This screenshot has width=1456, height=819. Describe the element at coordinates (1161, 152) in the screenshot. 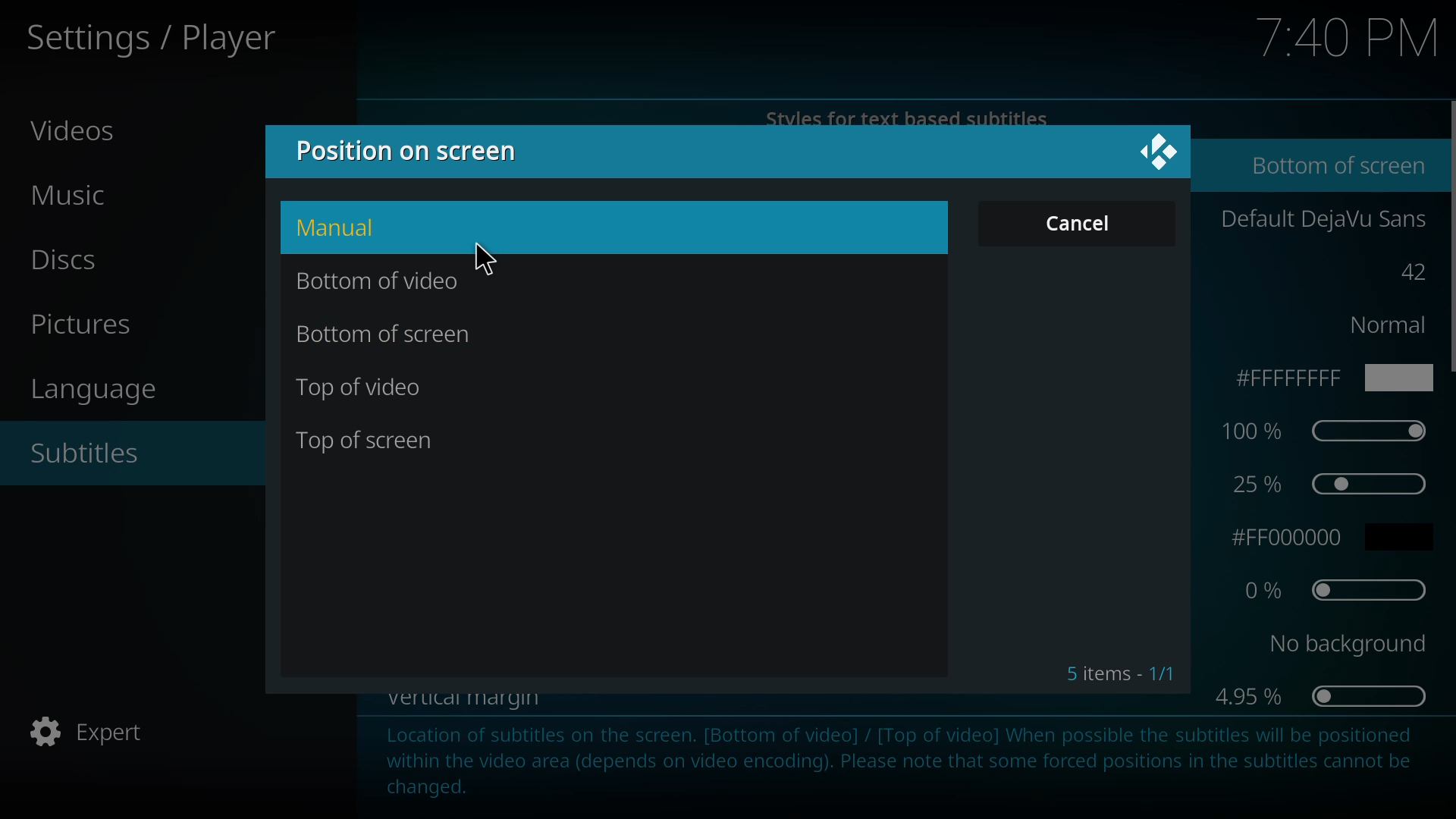

I see `close` at that location.